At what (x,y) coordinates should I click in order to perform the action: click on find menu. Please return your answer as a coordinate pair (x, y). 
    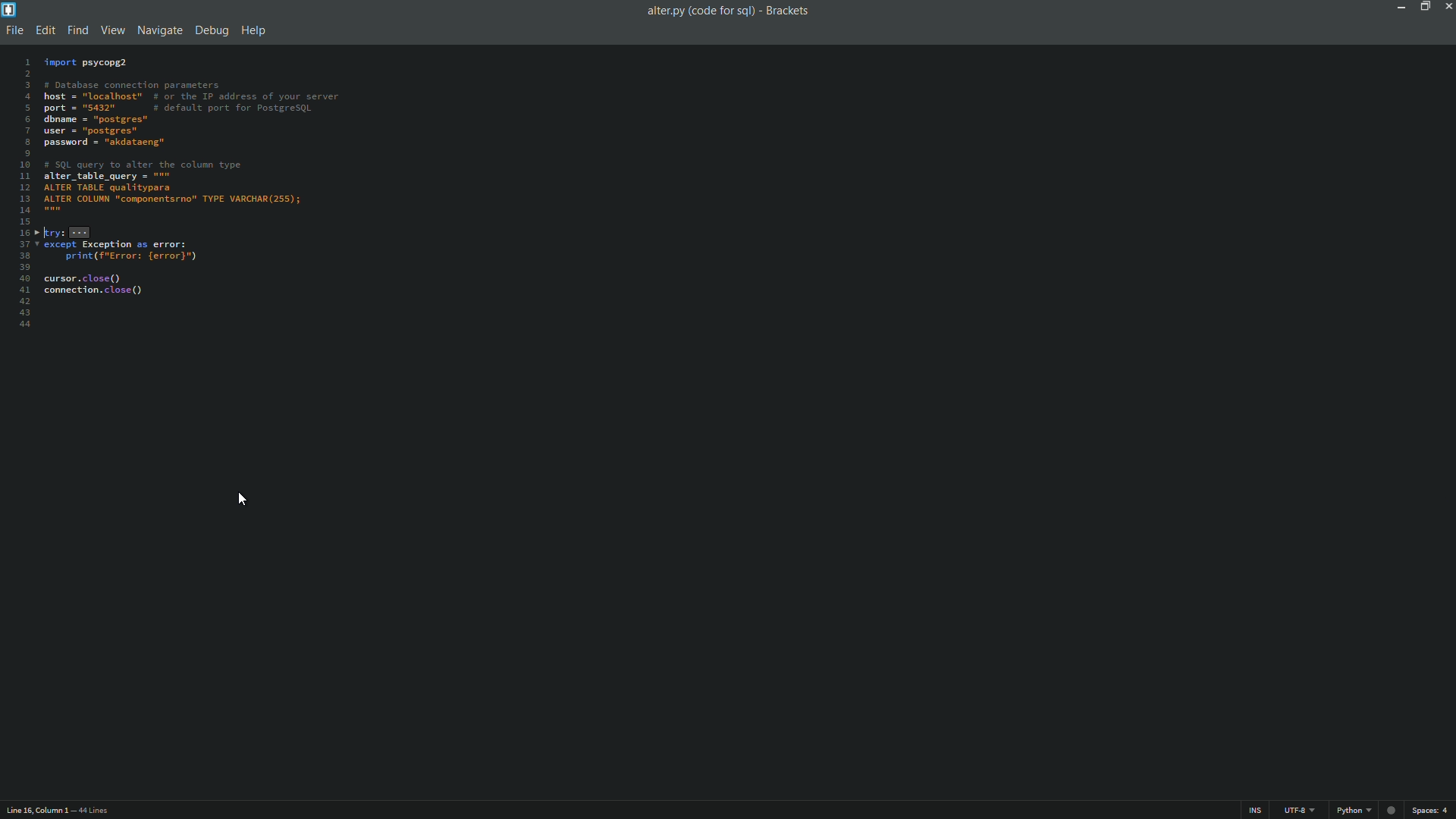
    Looking at the image, I should click on (77, 30).